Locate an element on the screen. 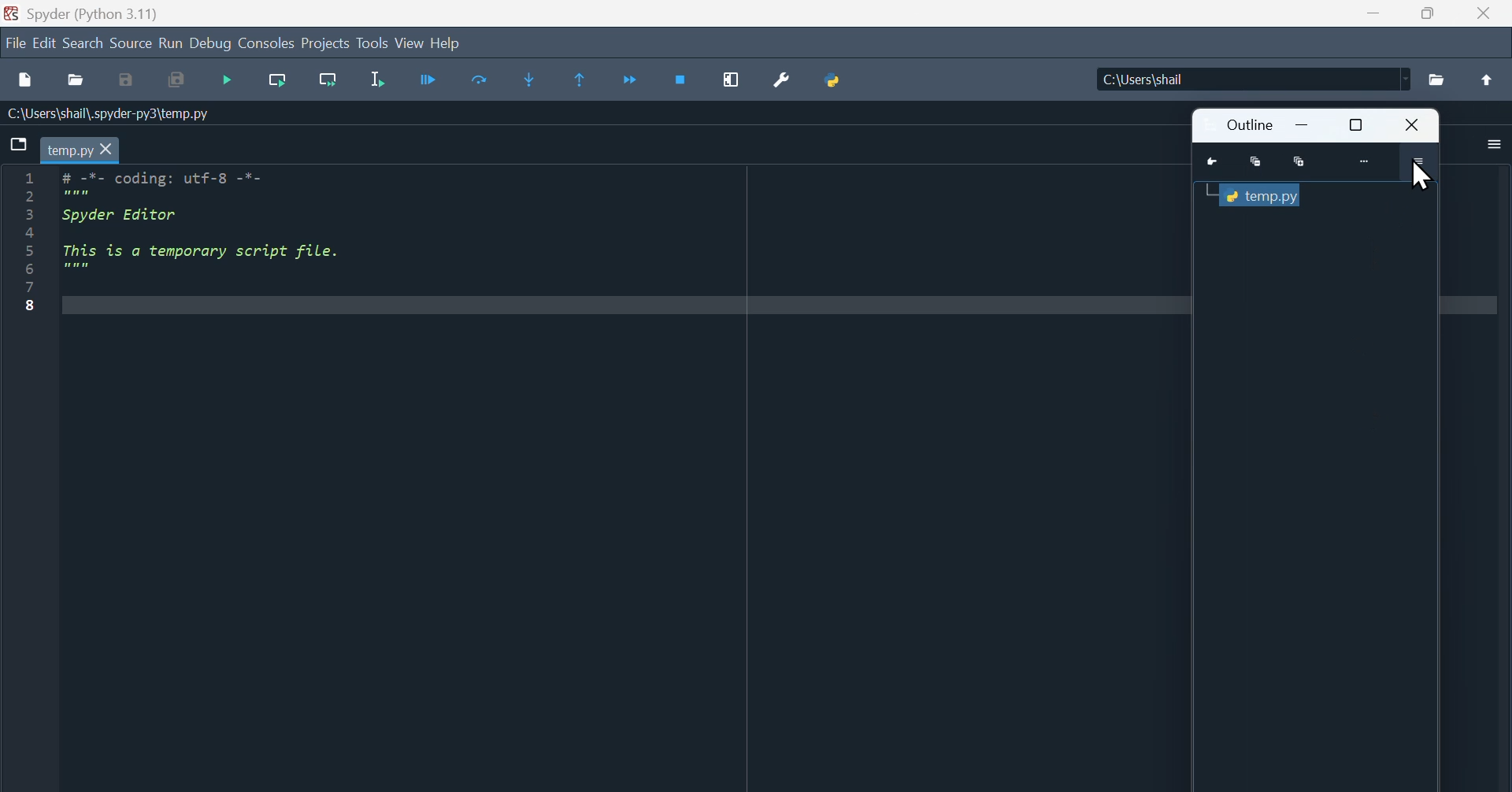 This screenshot has height=792, width=1512. Python path manager is located at coordinates (835, 80).